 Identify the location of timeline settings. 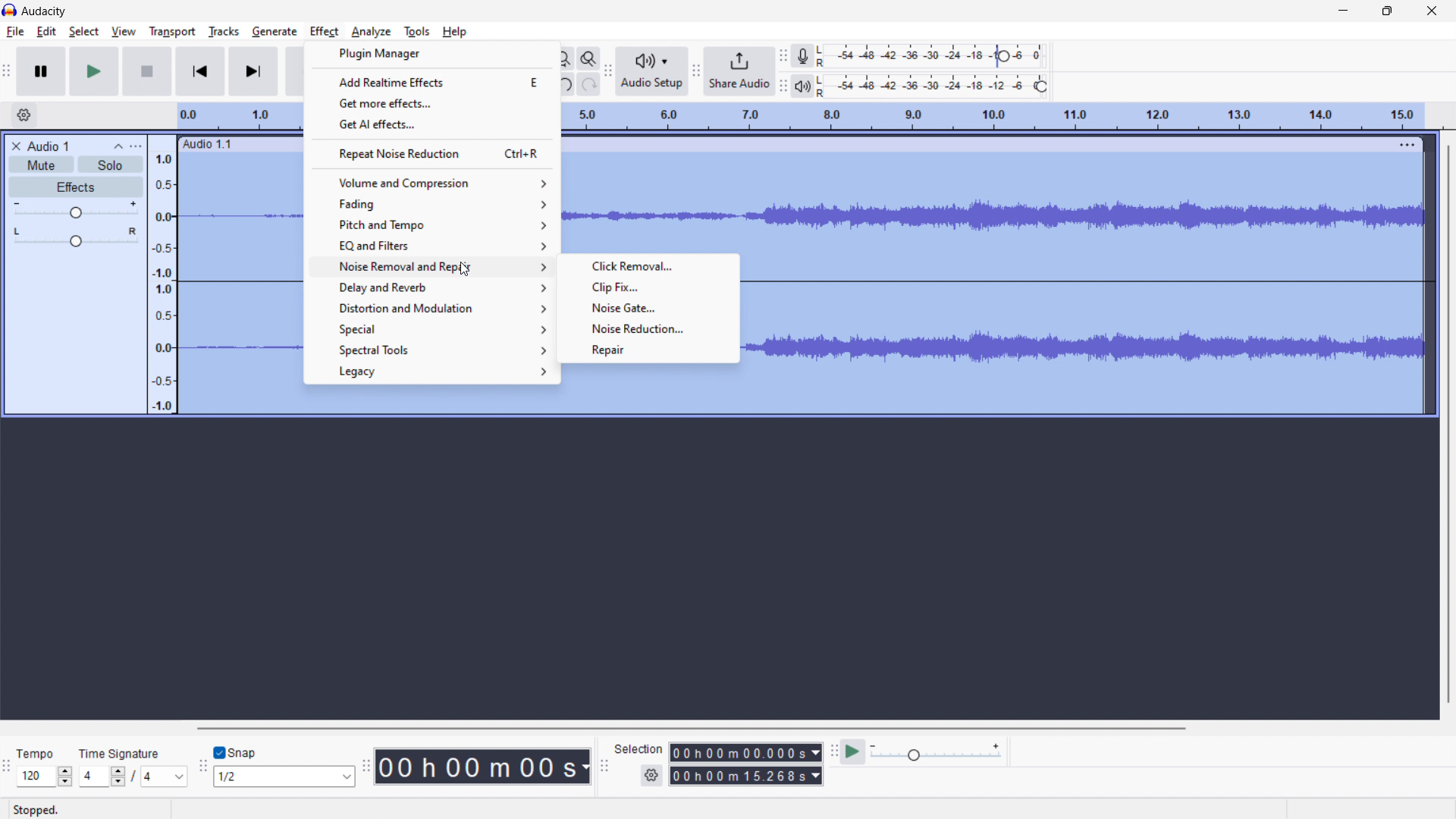
(24, 115).